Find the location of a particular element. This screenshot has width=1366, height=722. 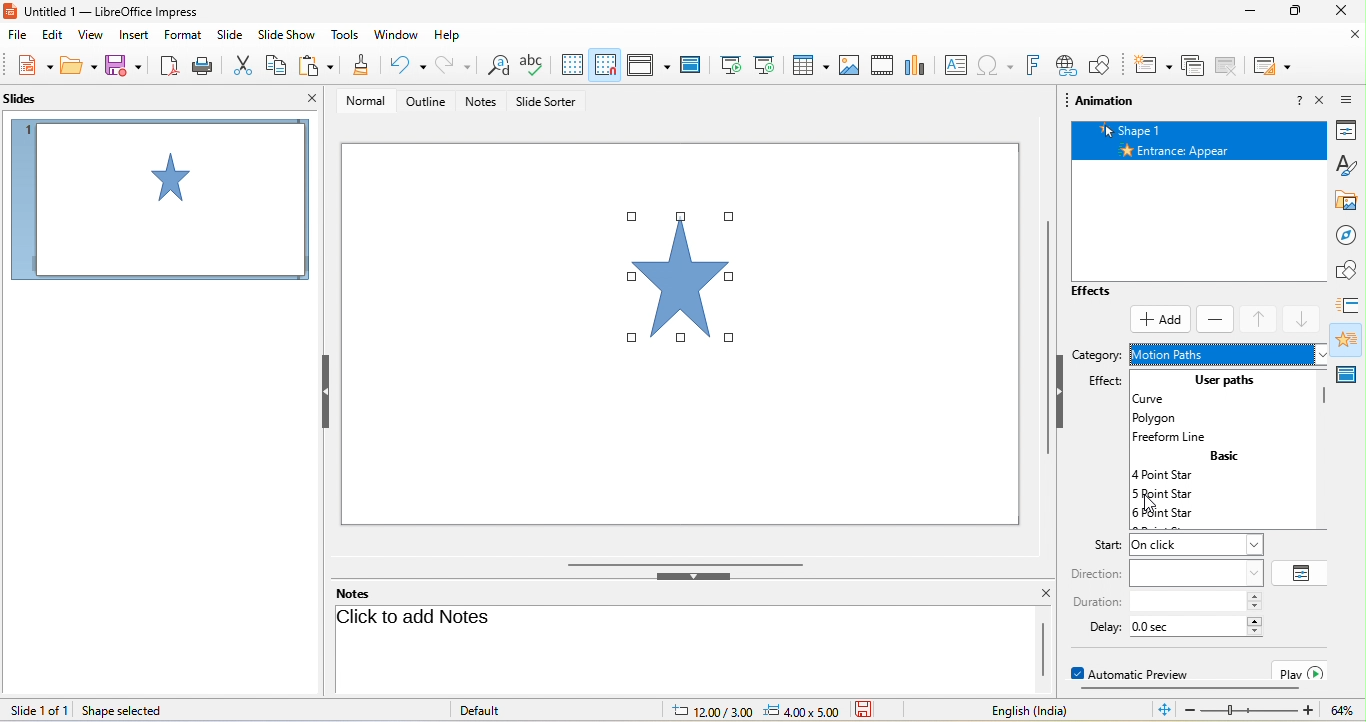

close is located at coordinates (308, 99).